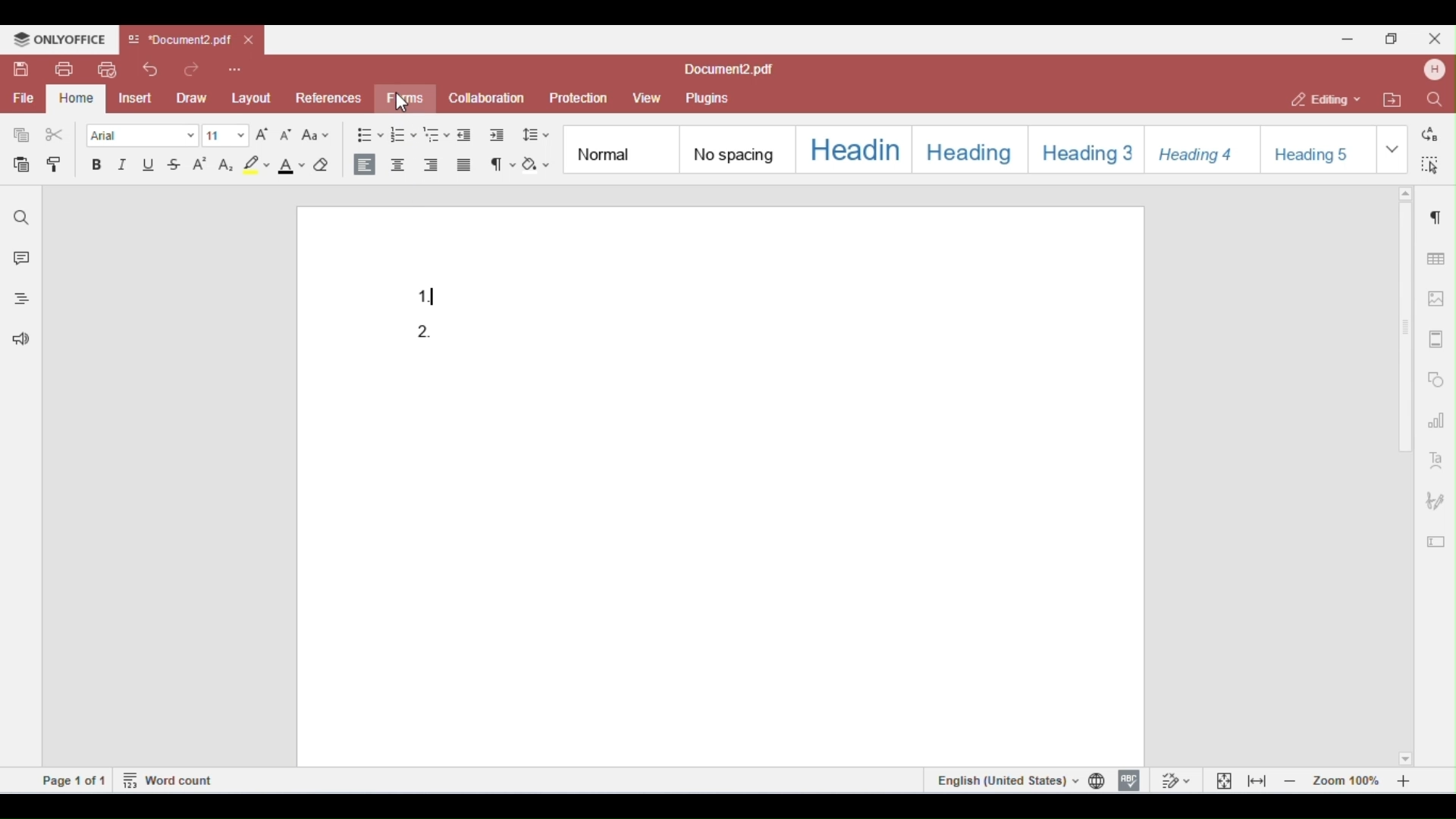  Describe the element at coordinates (436, 134) in the screenshot. I see `multilevel list` at that location.